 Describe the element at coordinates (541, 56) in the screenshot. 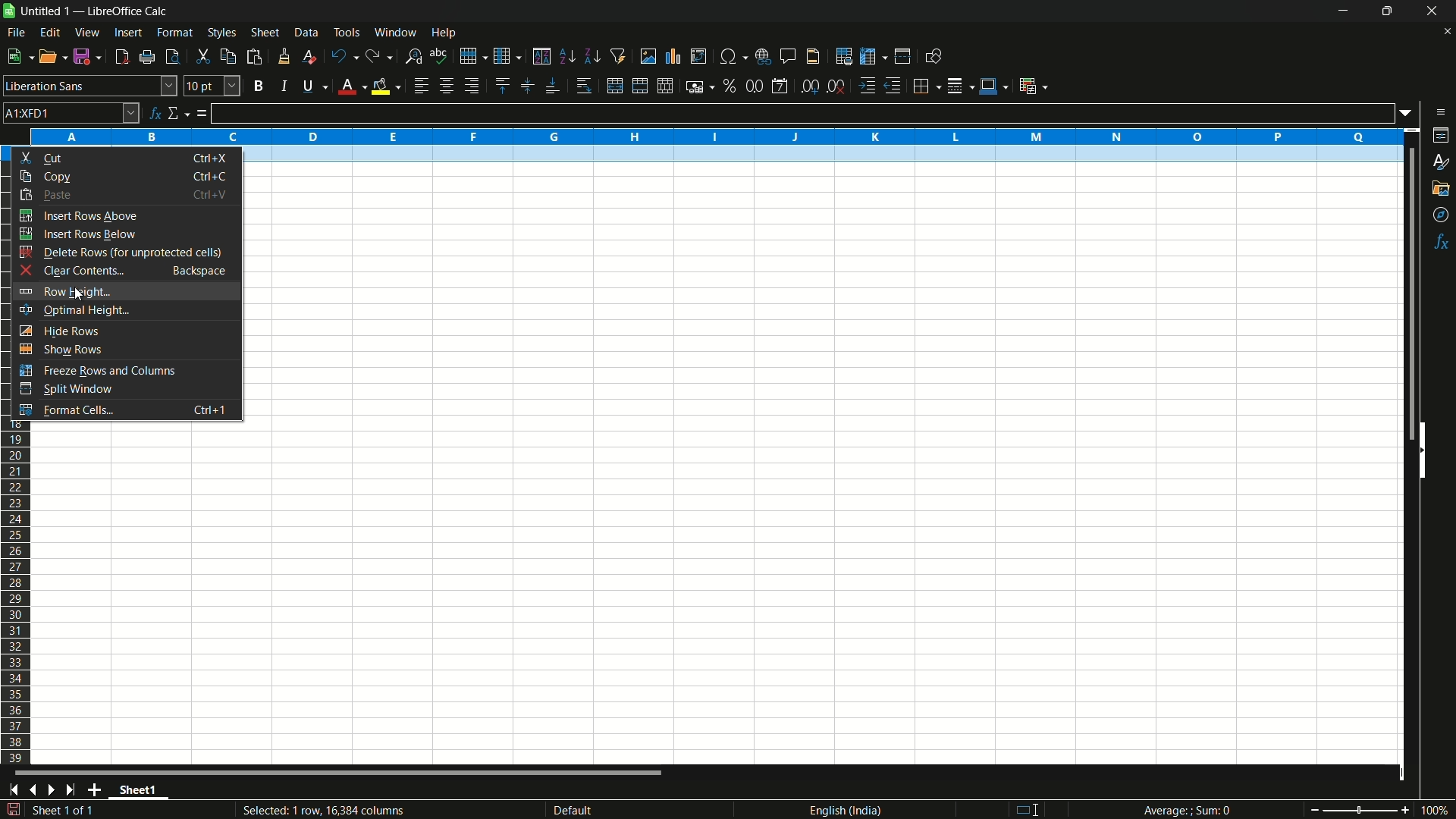

I see `sort` at that location.